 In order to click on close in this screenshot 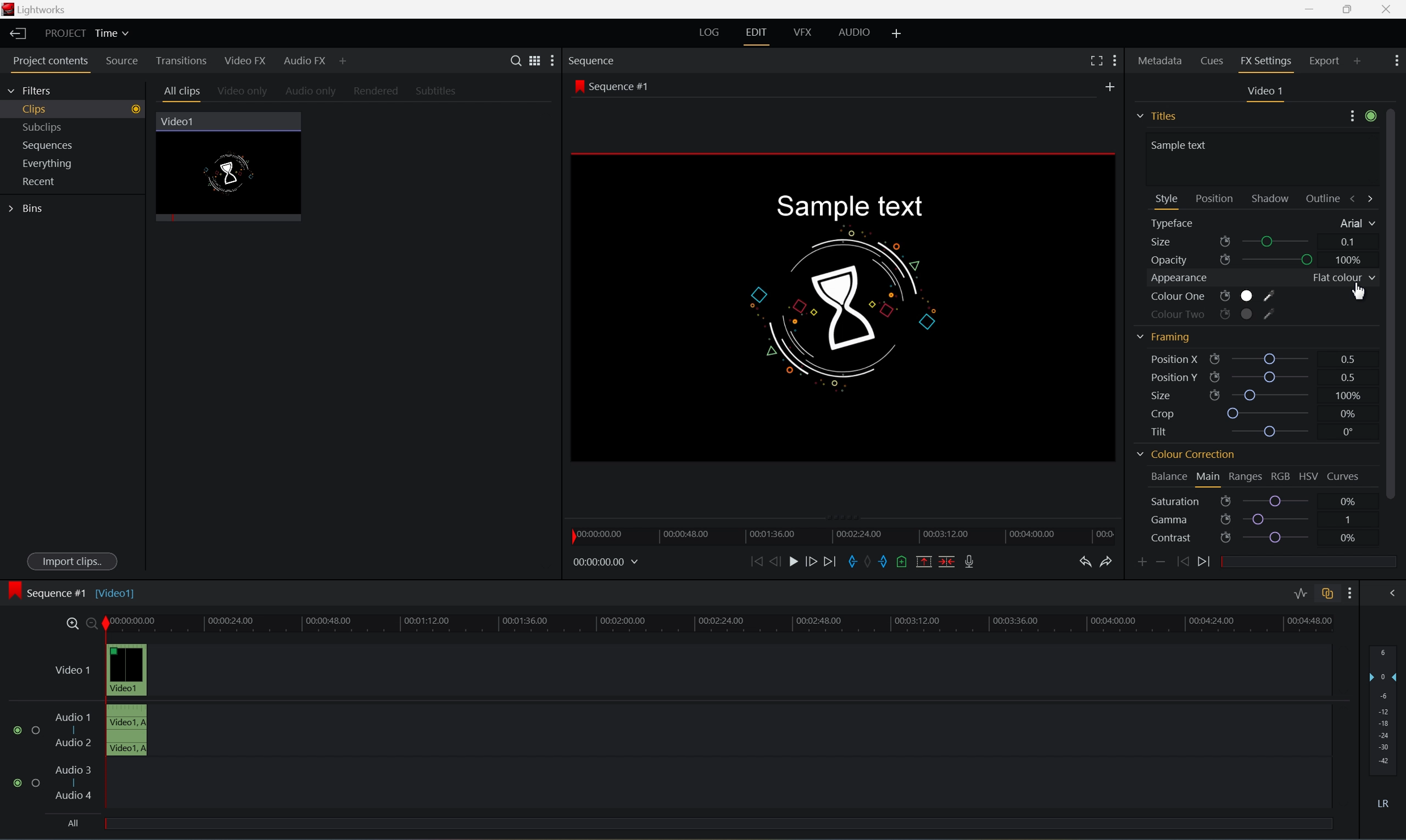, I will do `click(1390, 10)`.